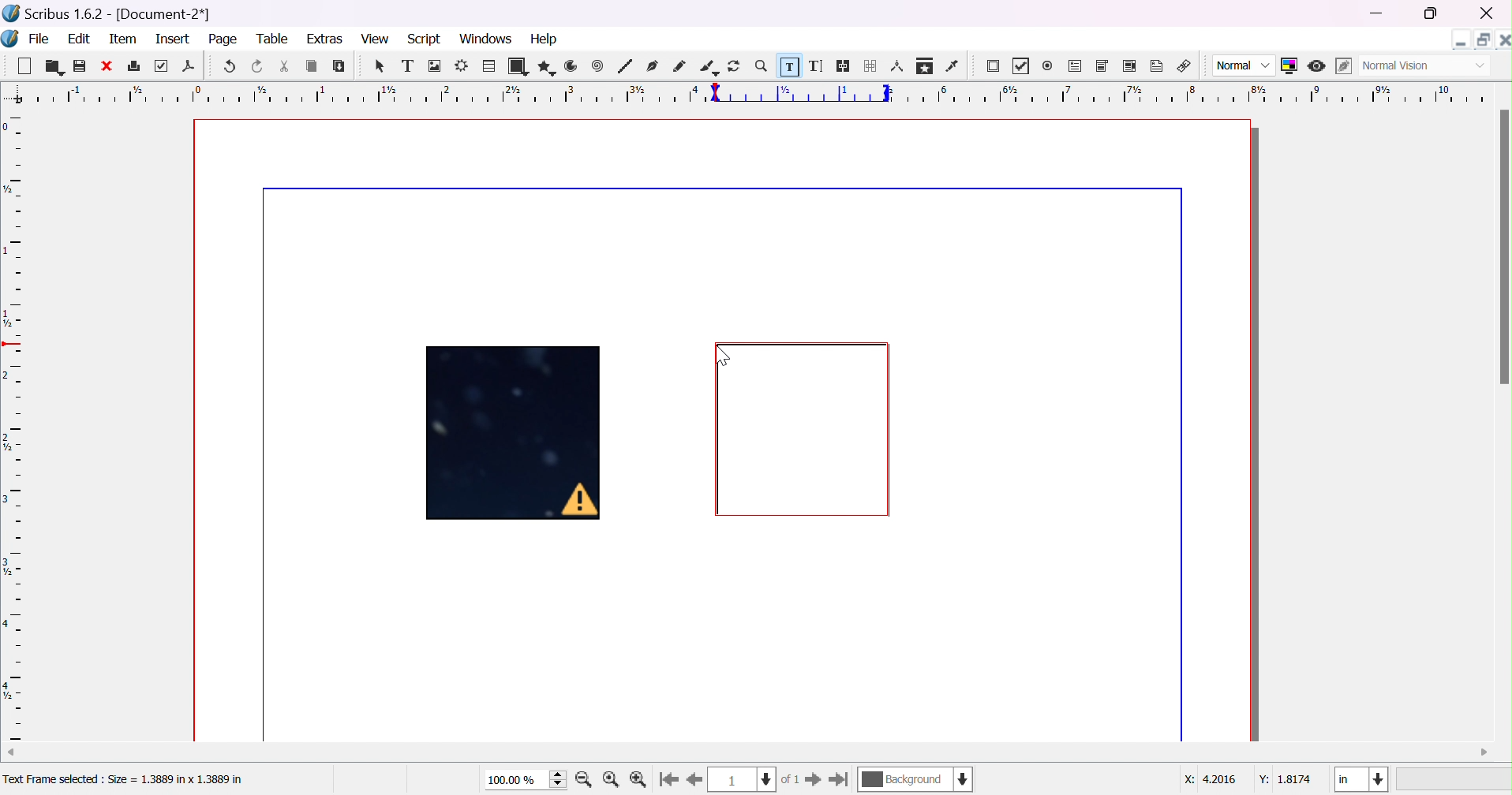 This screenshot has width=1512, height=795. Describe the element at coordinates (584, 780) in the screenshot. I see `zoom in` at that location.